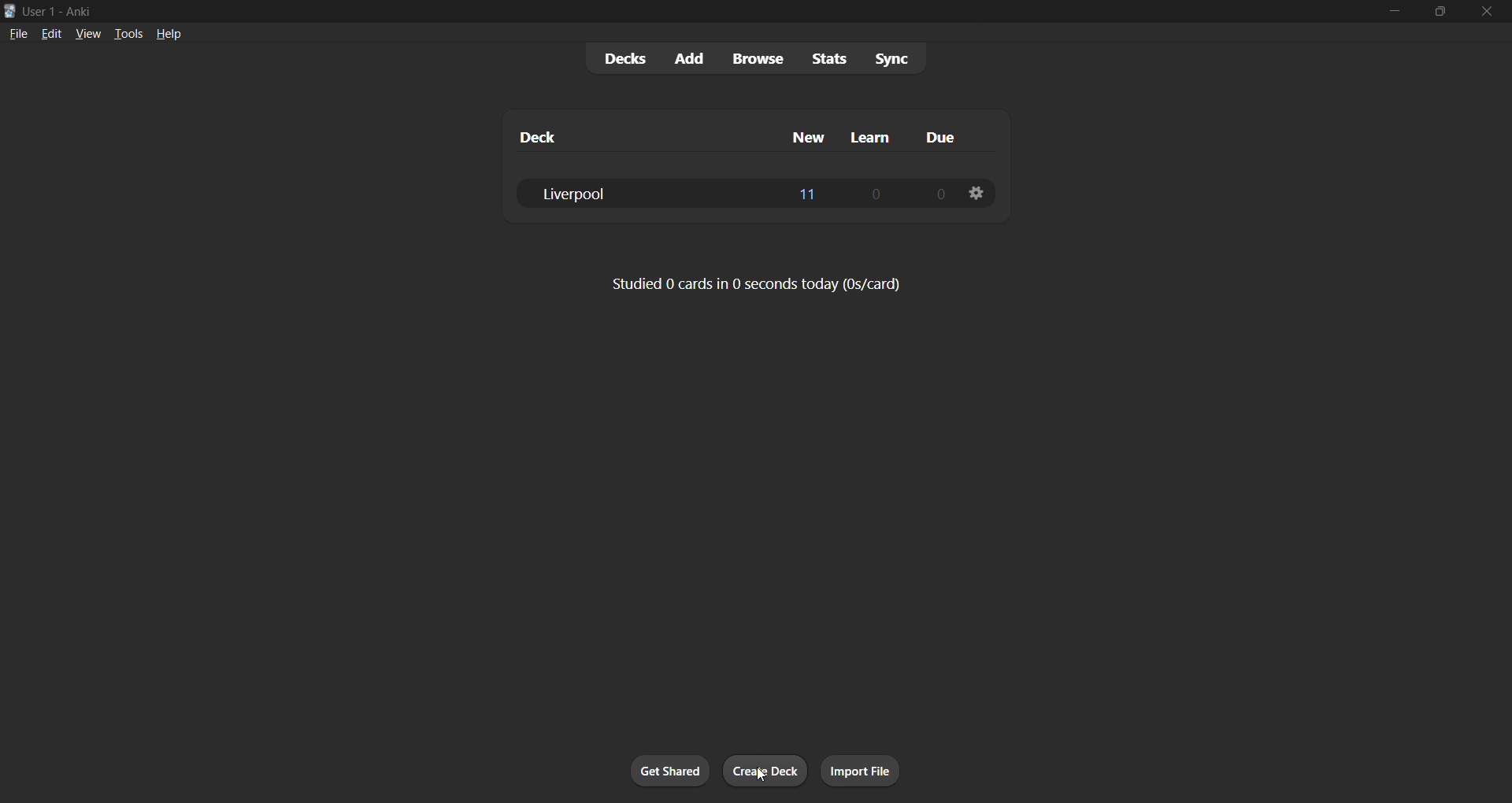 Image resolution: width=1512 pixels, height=803 pixels. Describe the element at coordinates (977, 195) in the screenshot. I see `deck options` at that location.